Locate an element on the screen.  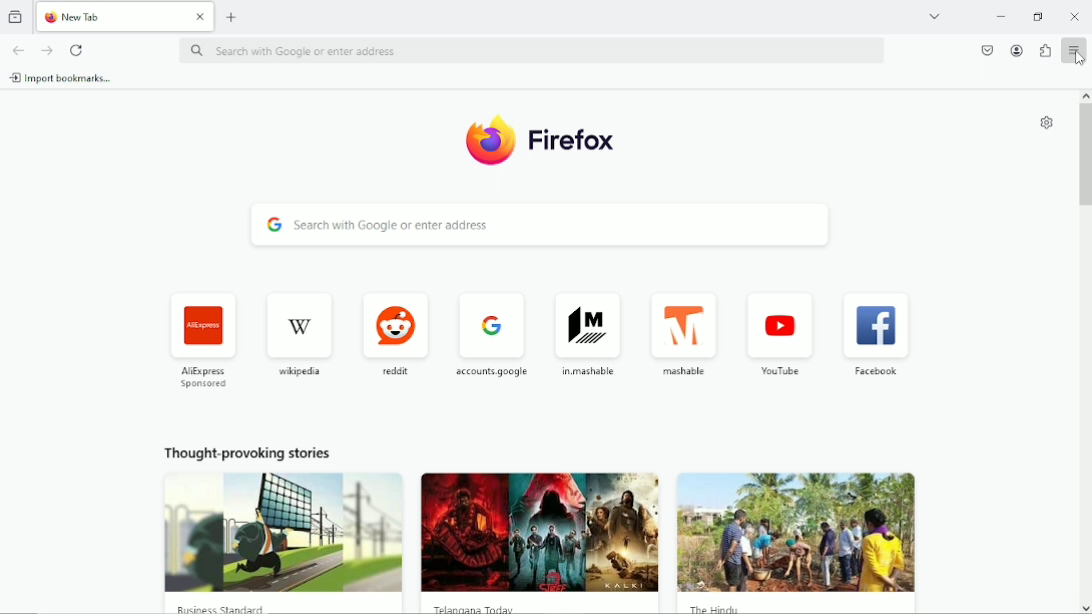
AliExpress is located at coordinates (202, 339).